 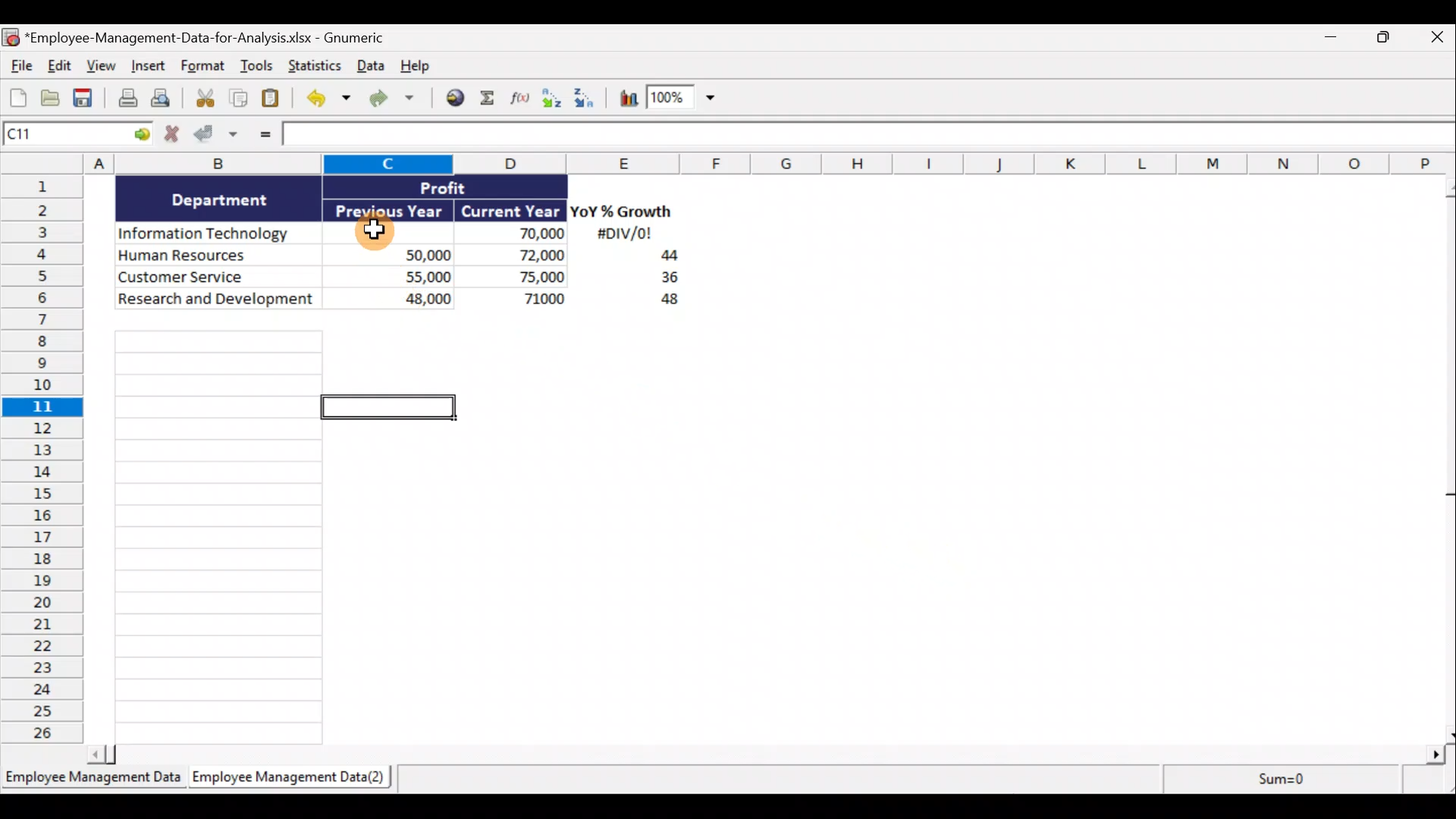 I want to click on YoY% Growth, so click(x=622, y=212).